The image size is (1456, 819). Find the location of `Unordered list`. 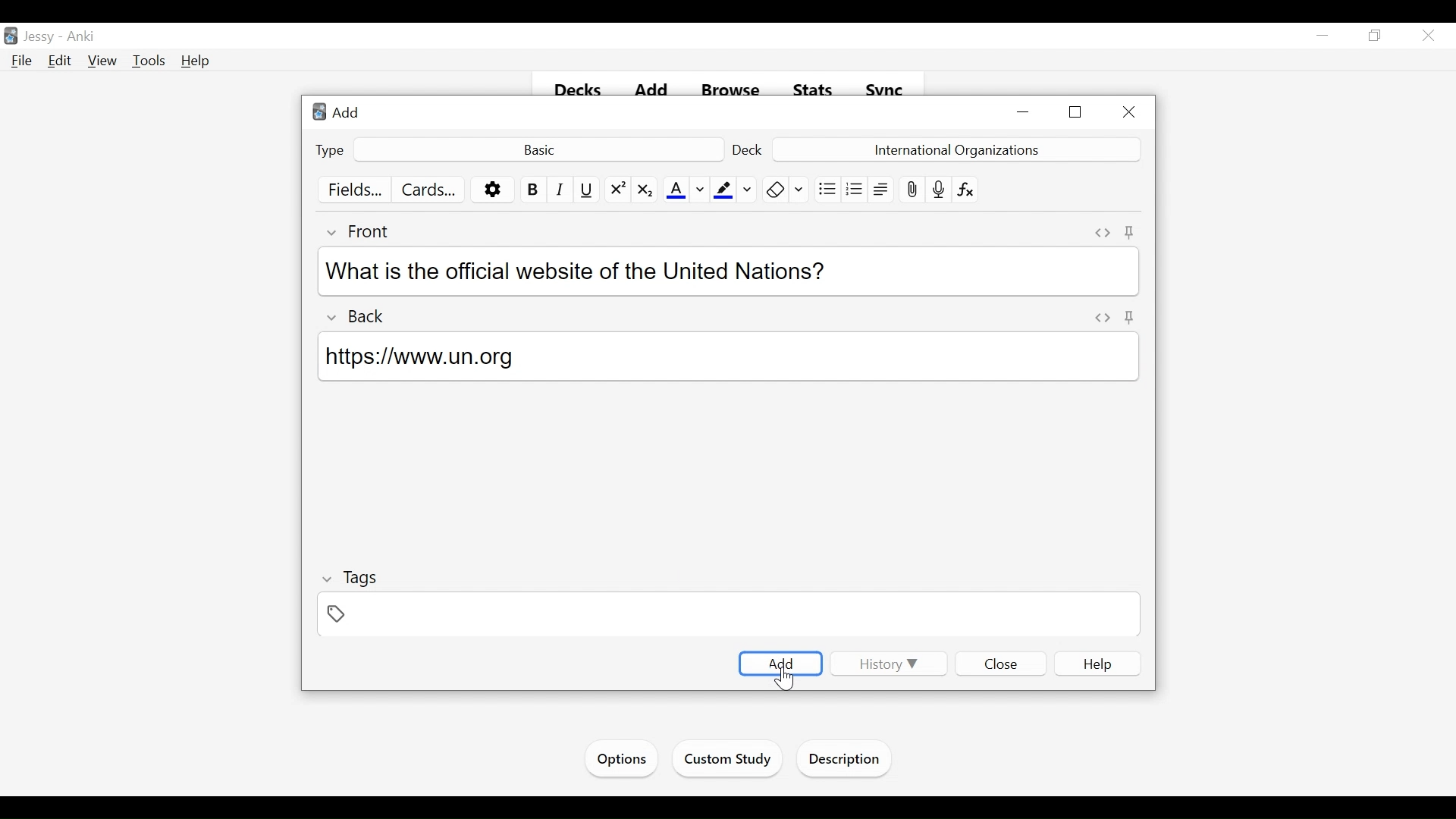

Unordered list is located at coordinates (826, 188).